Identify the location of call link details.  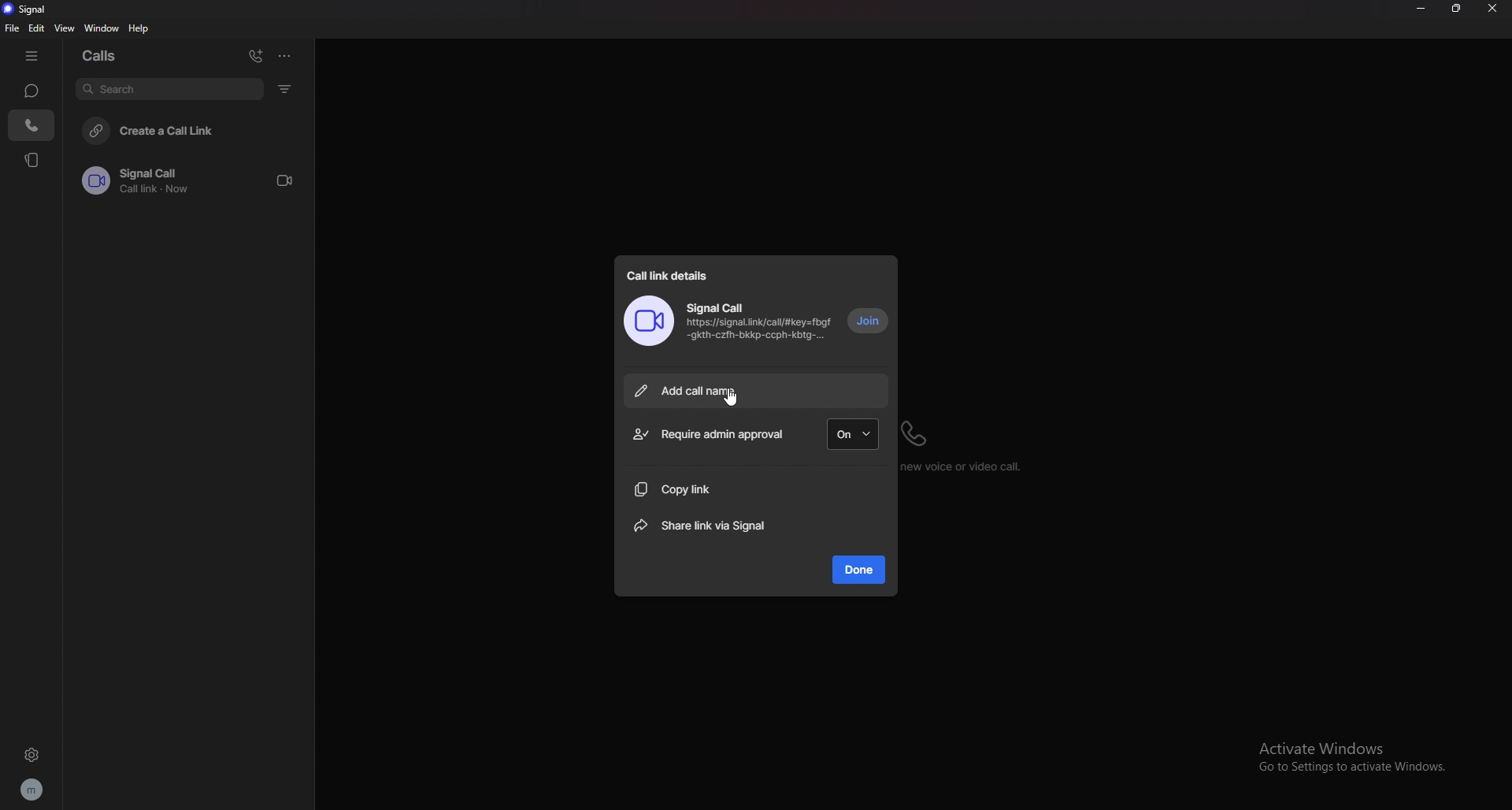
(673, 273).